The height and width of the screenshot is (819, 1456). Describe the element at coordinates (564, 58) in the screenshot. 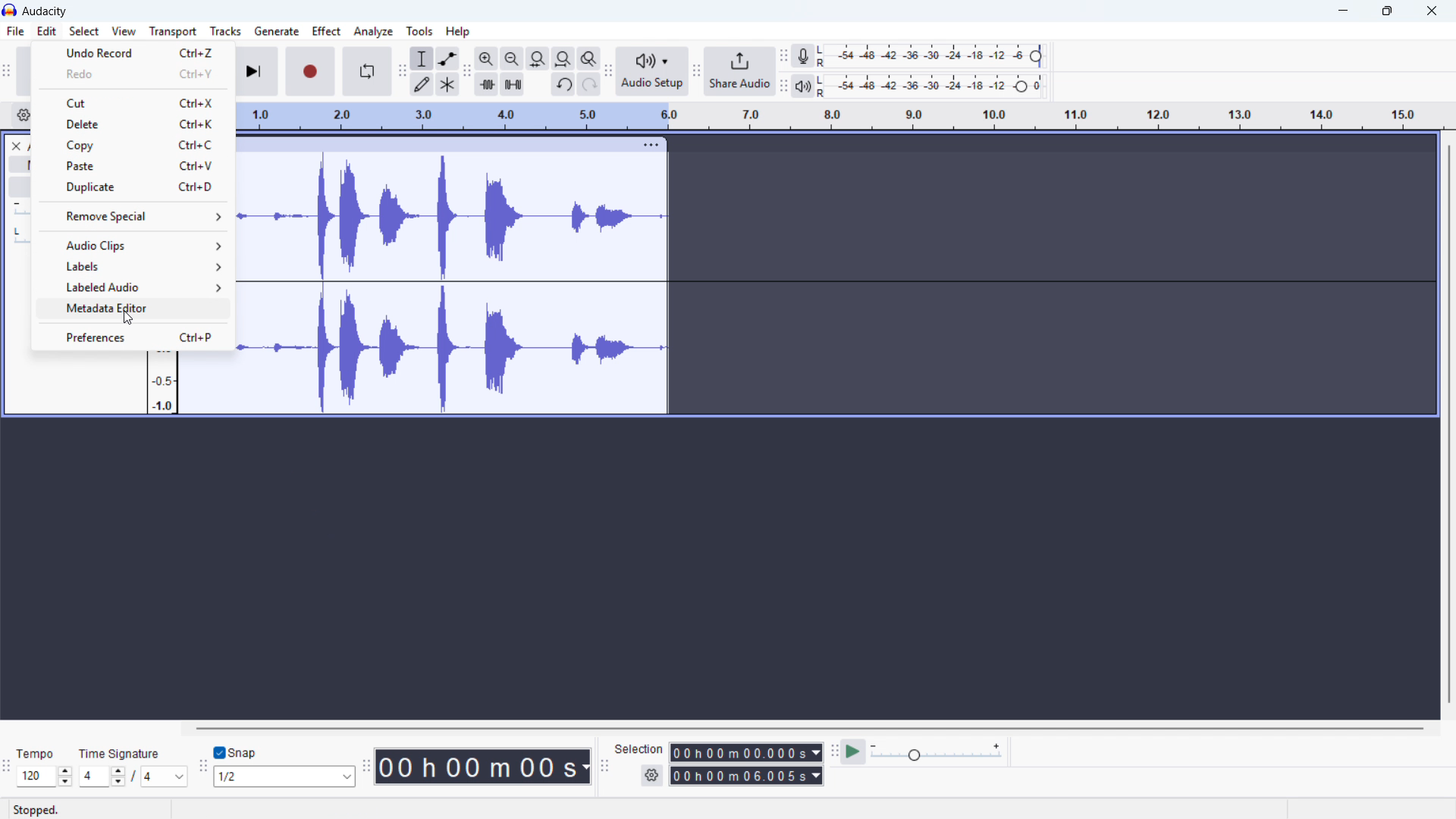

I see `fit project to width` at that location.